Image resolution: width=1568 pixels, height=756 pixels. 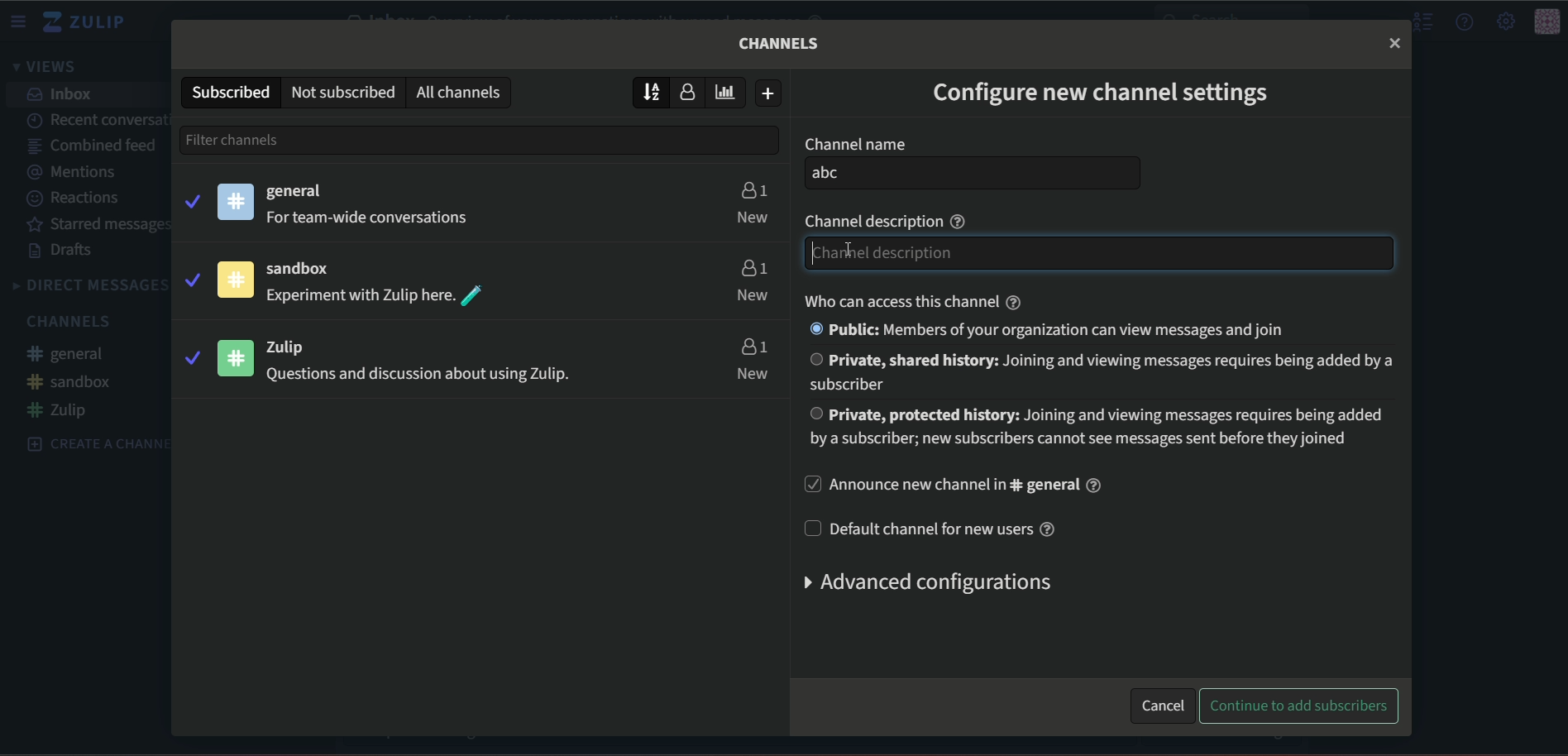 I want to click on users, so click(x=753, y=188).